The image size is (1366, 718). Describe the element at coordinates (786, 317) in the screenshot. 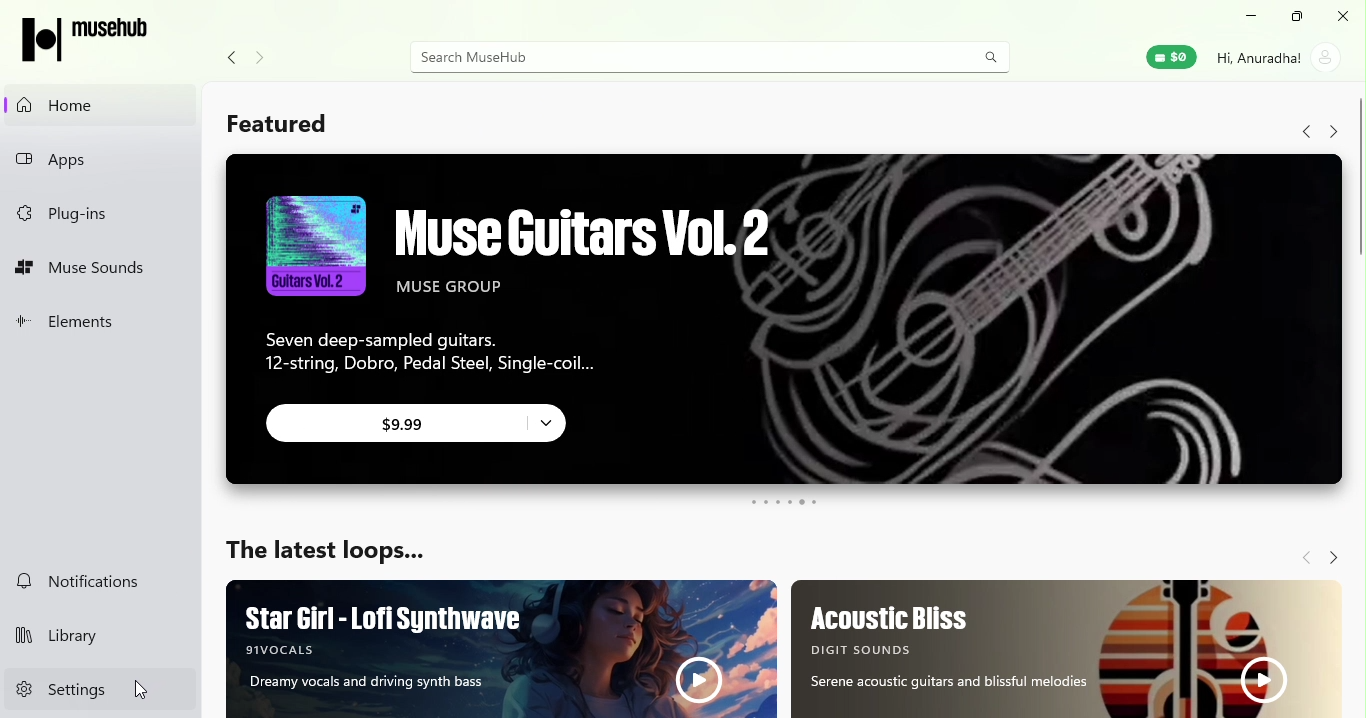

I see `Ad` at that location.